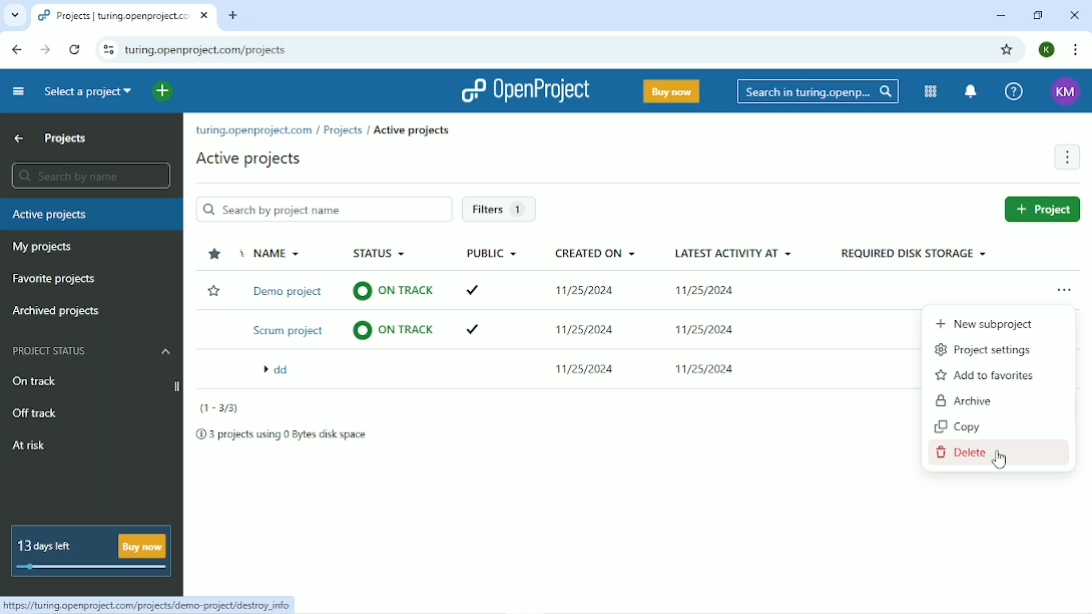 The height and width of the screenshot is (614, 1092). I want to click on on track, so click(390, 293).